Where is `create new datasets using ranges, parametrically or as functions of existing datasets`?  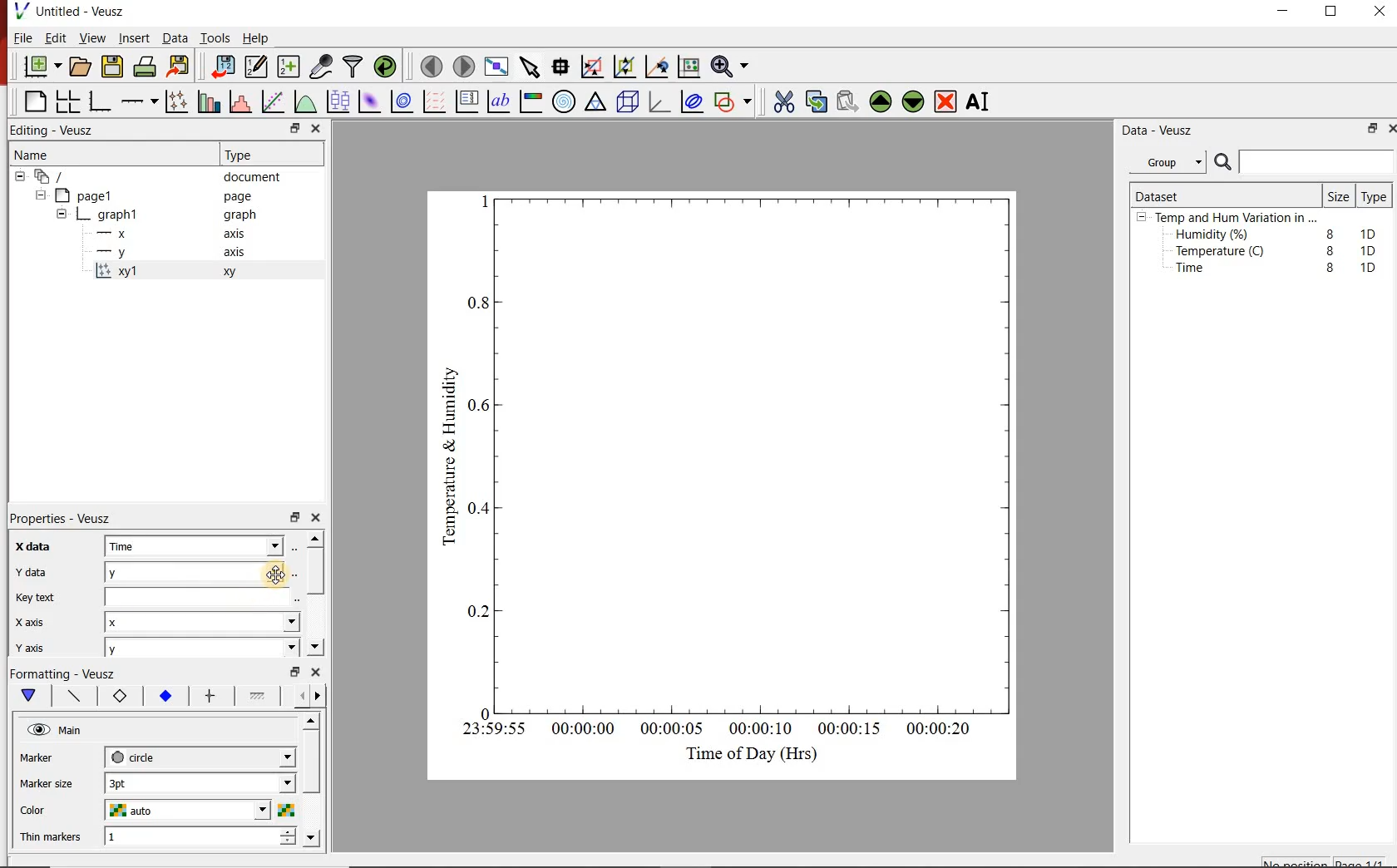 create new datasets using ranges, parametrically or as functions of existing datasets is located at coordinates (289, 67).